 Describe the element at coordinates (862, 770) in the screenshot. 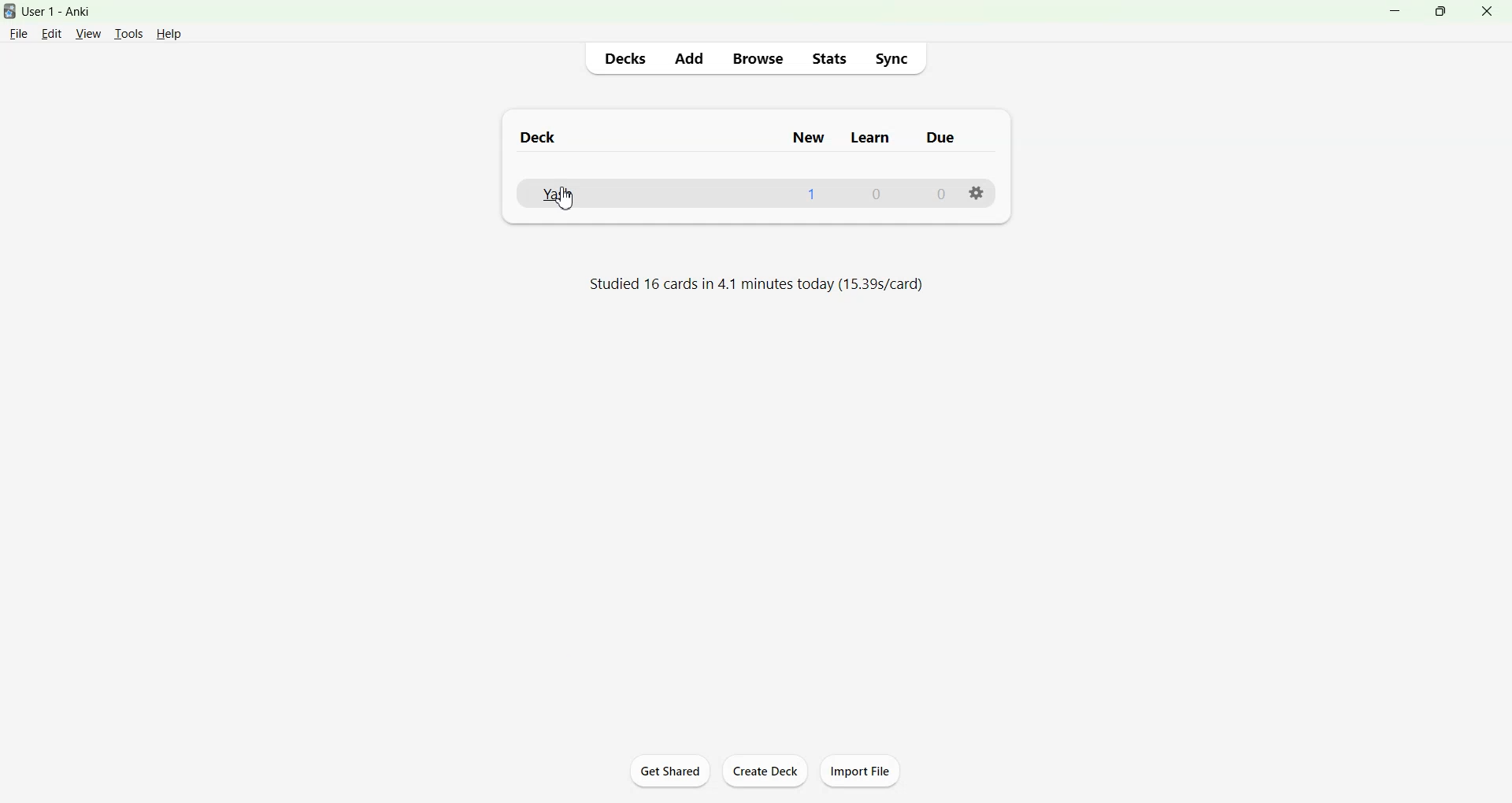

I see `Import File` at that location.